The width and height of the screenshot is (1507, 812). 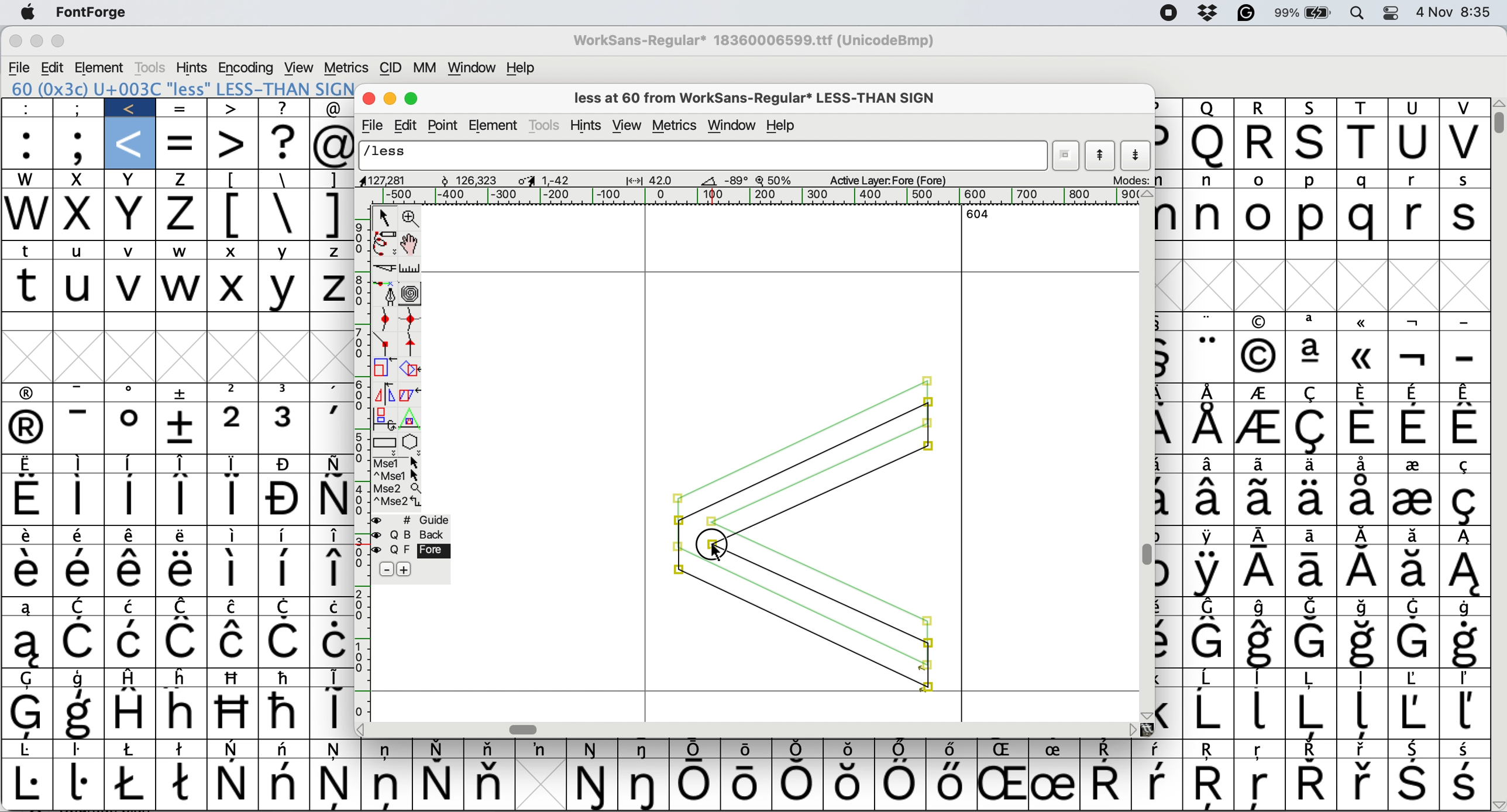 I want to click on Symbol, so click(x=1361, y=500).